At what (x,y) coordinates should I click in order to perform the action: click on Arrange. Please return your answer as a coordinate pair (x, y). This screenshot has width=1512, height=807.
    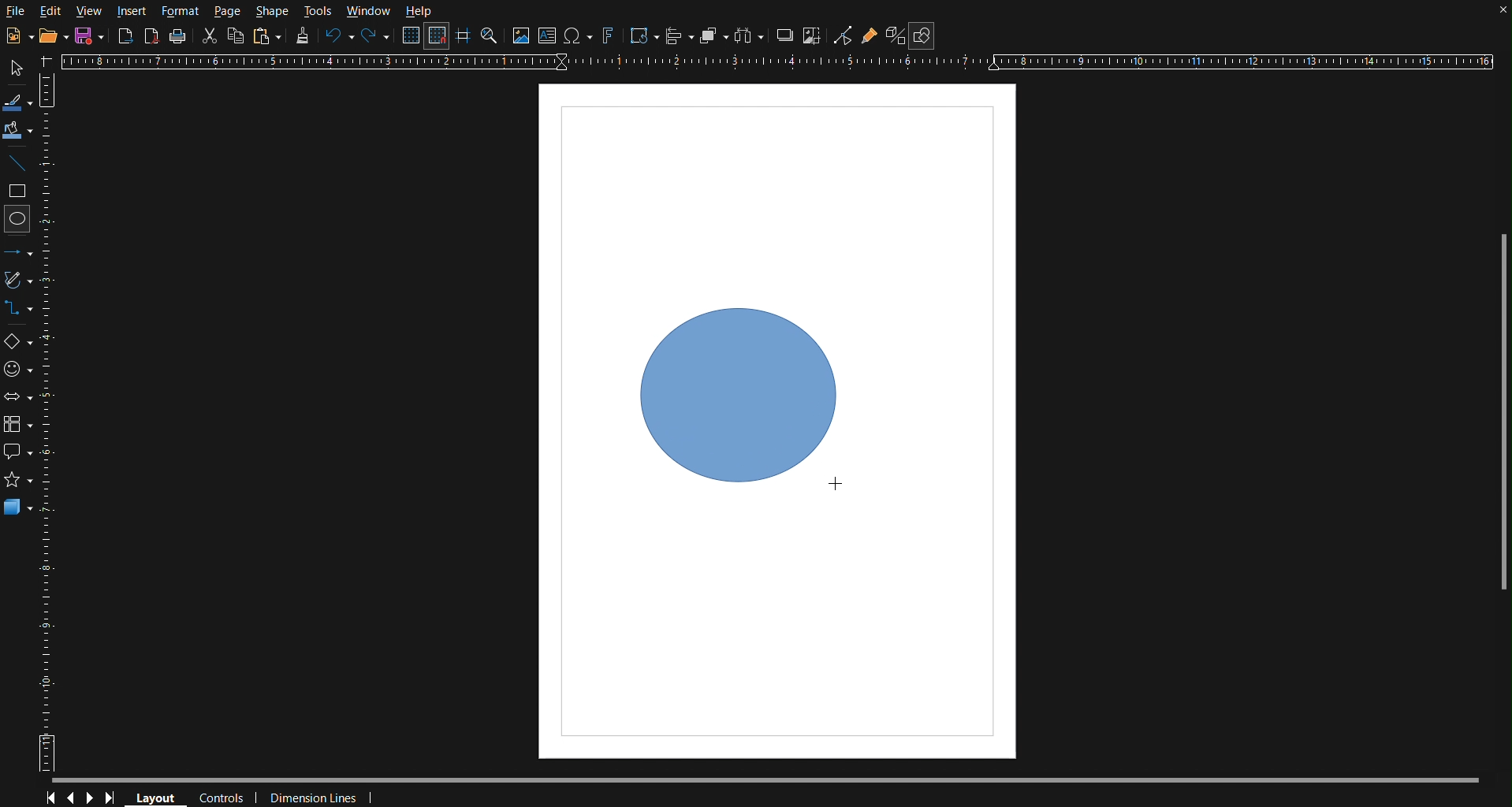
    Looking at the image, I should click on (711, 35).